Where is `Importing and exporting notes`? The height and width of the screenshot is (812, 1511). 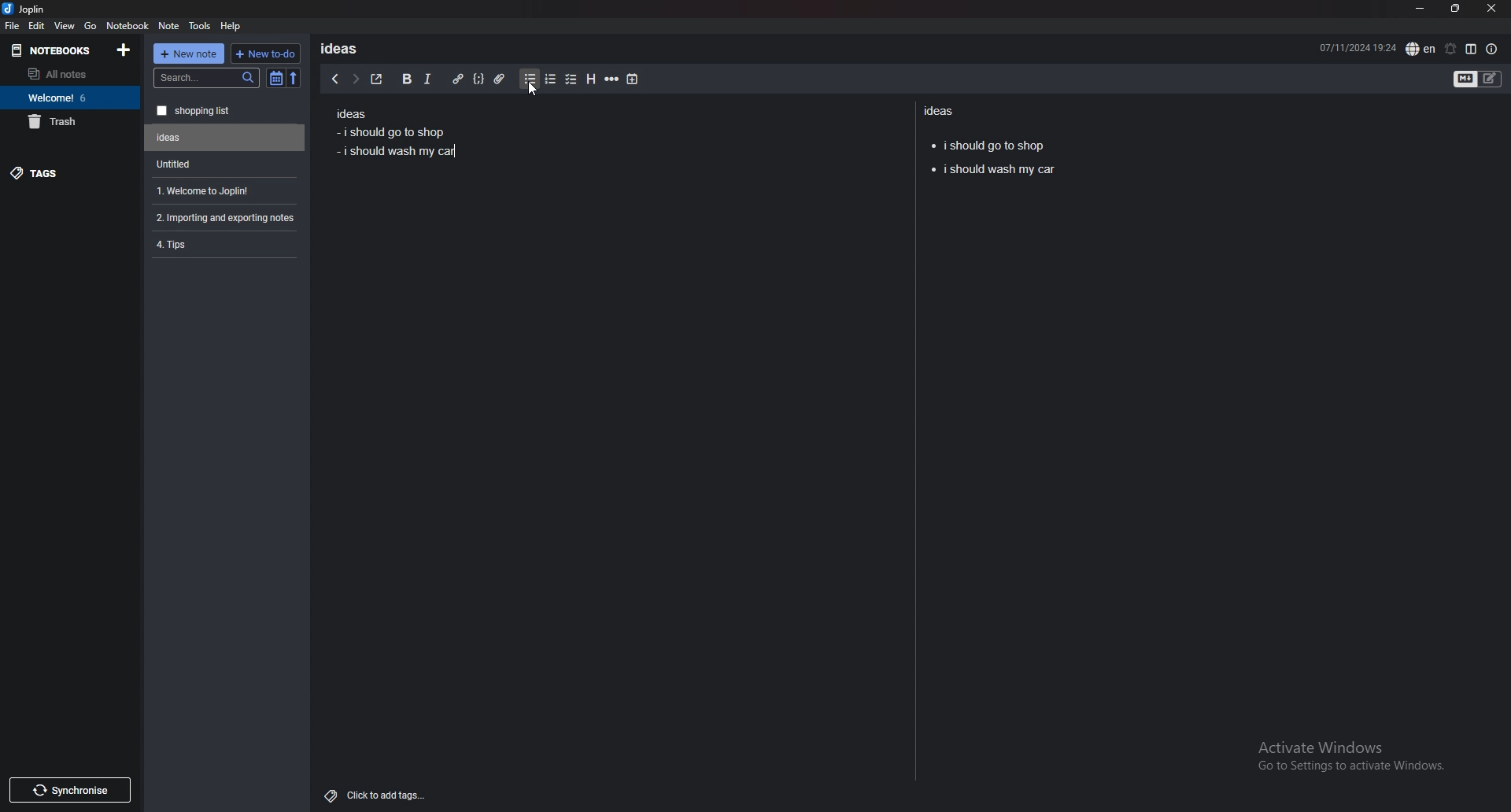
Importing and exporting notes is located at coordinates (227, 218).